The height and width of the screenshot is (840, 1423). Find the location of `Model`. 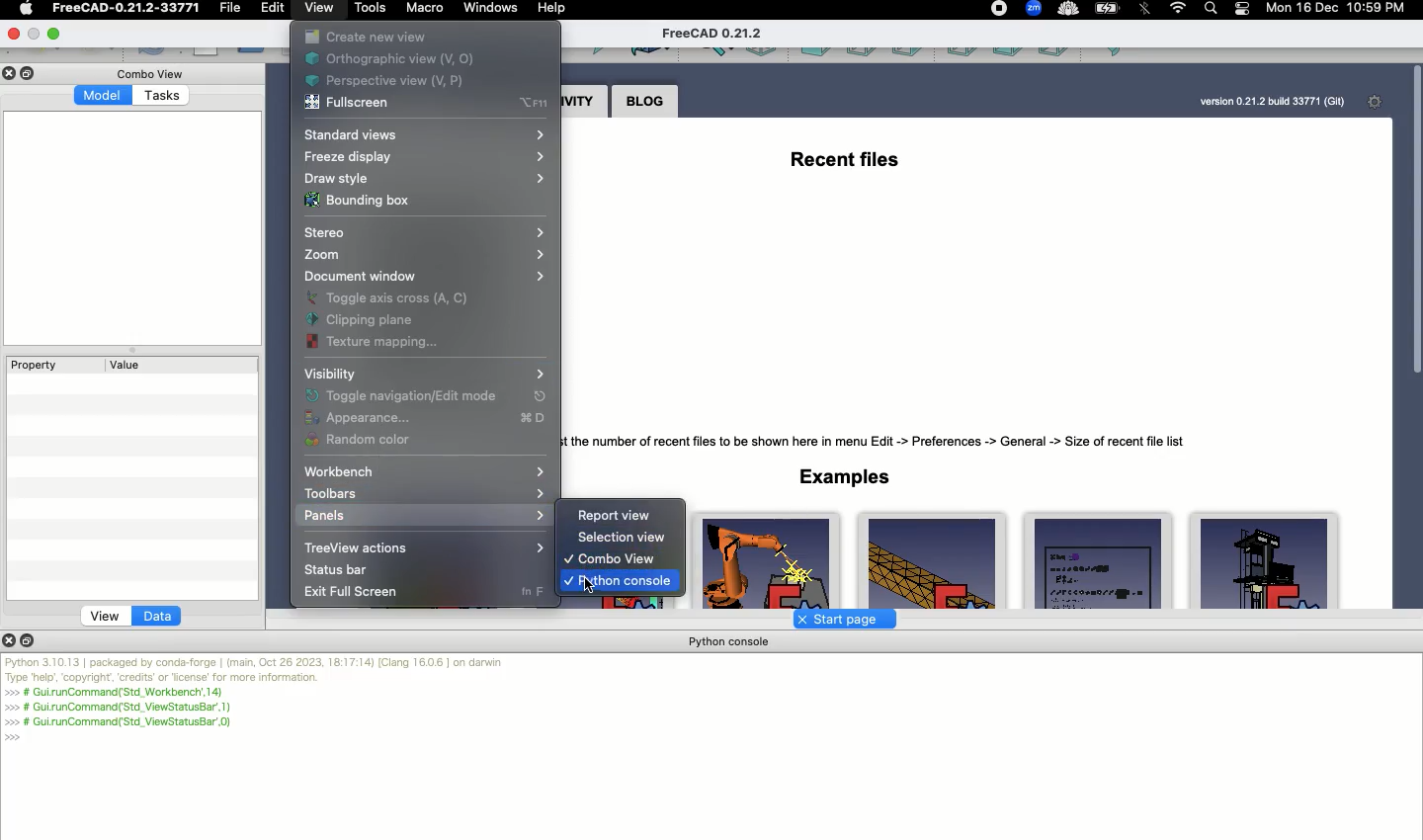

Model is located at coordinates (104, 95).